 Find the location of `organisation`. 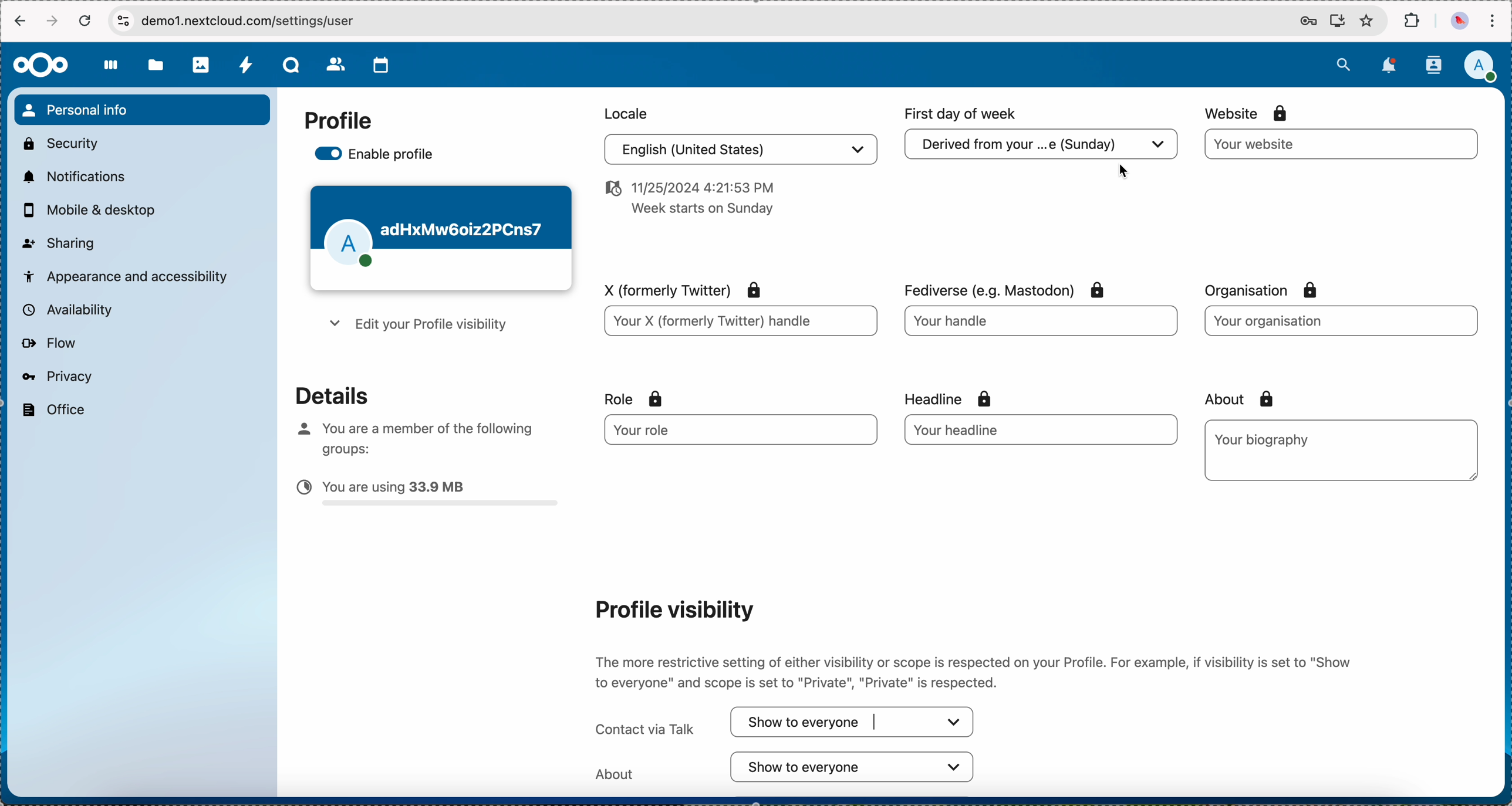

organisation is located at coordinates (1269, 290).